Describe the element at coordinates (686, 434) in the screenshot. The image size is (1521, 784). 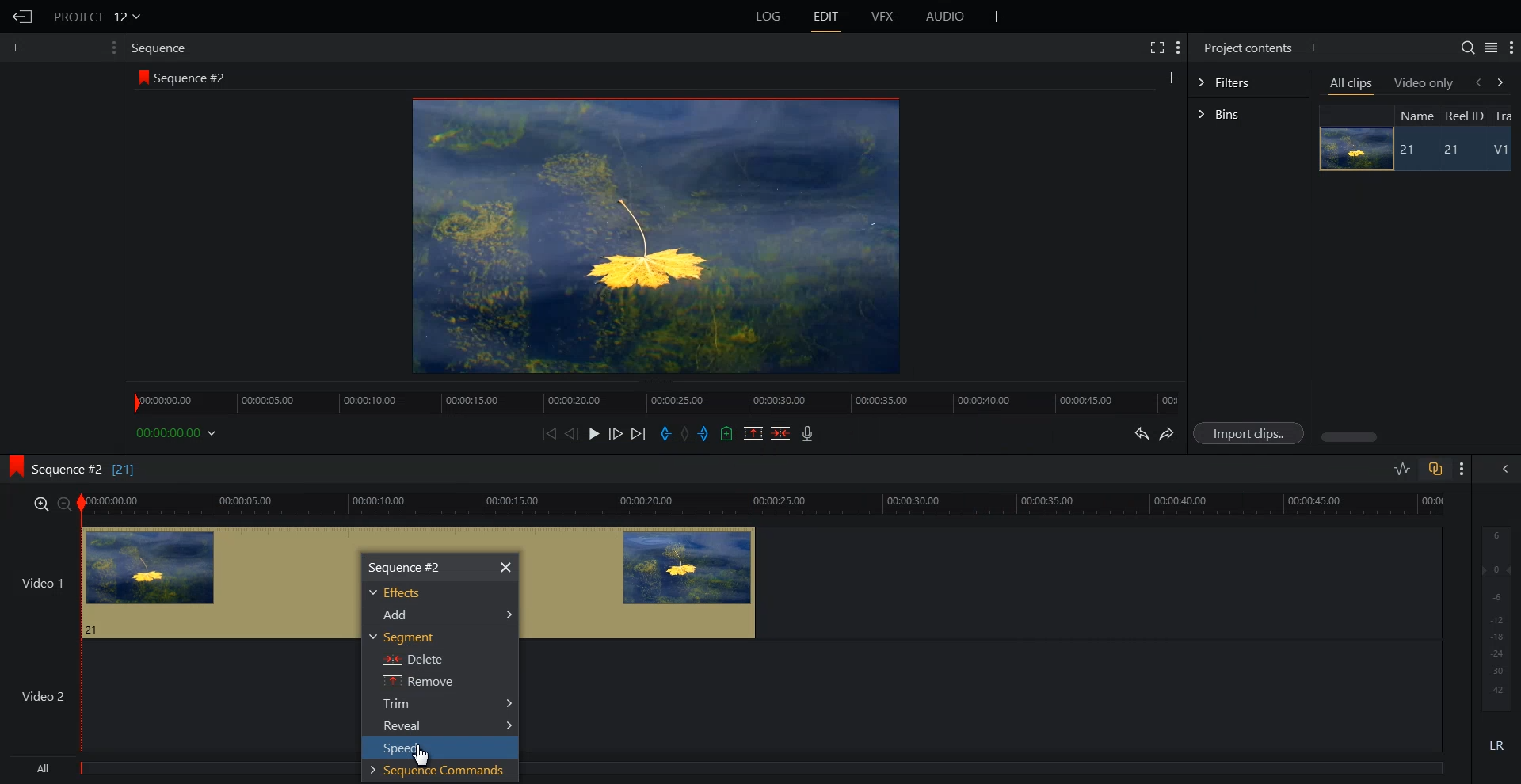
I see `Clear all marks` at that location.